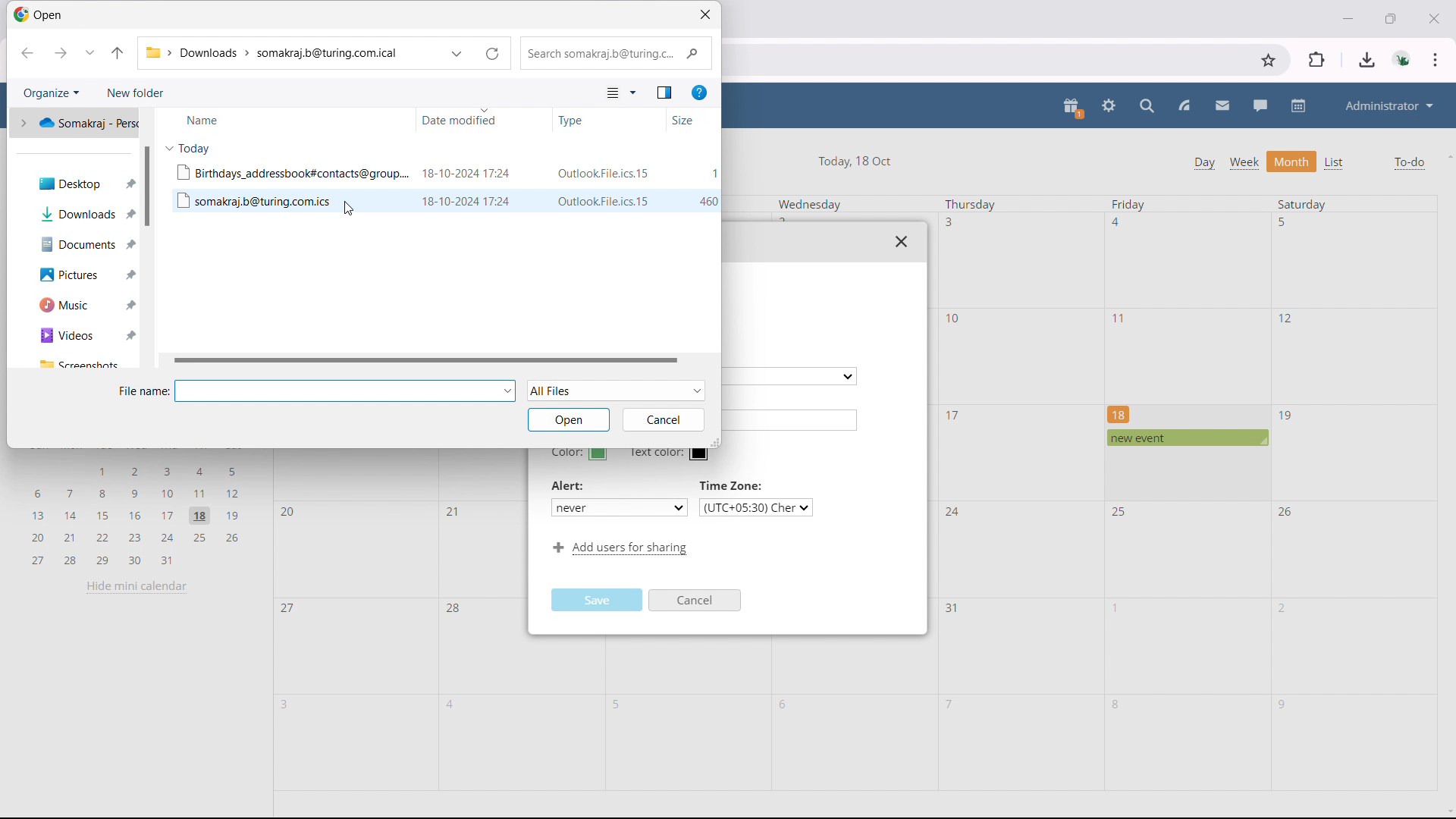  Describe the element at coordinates (693, 120) in the screenshot. I see `size` at that location.